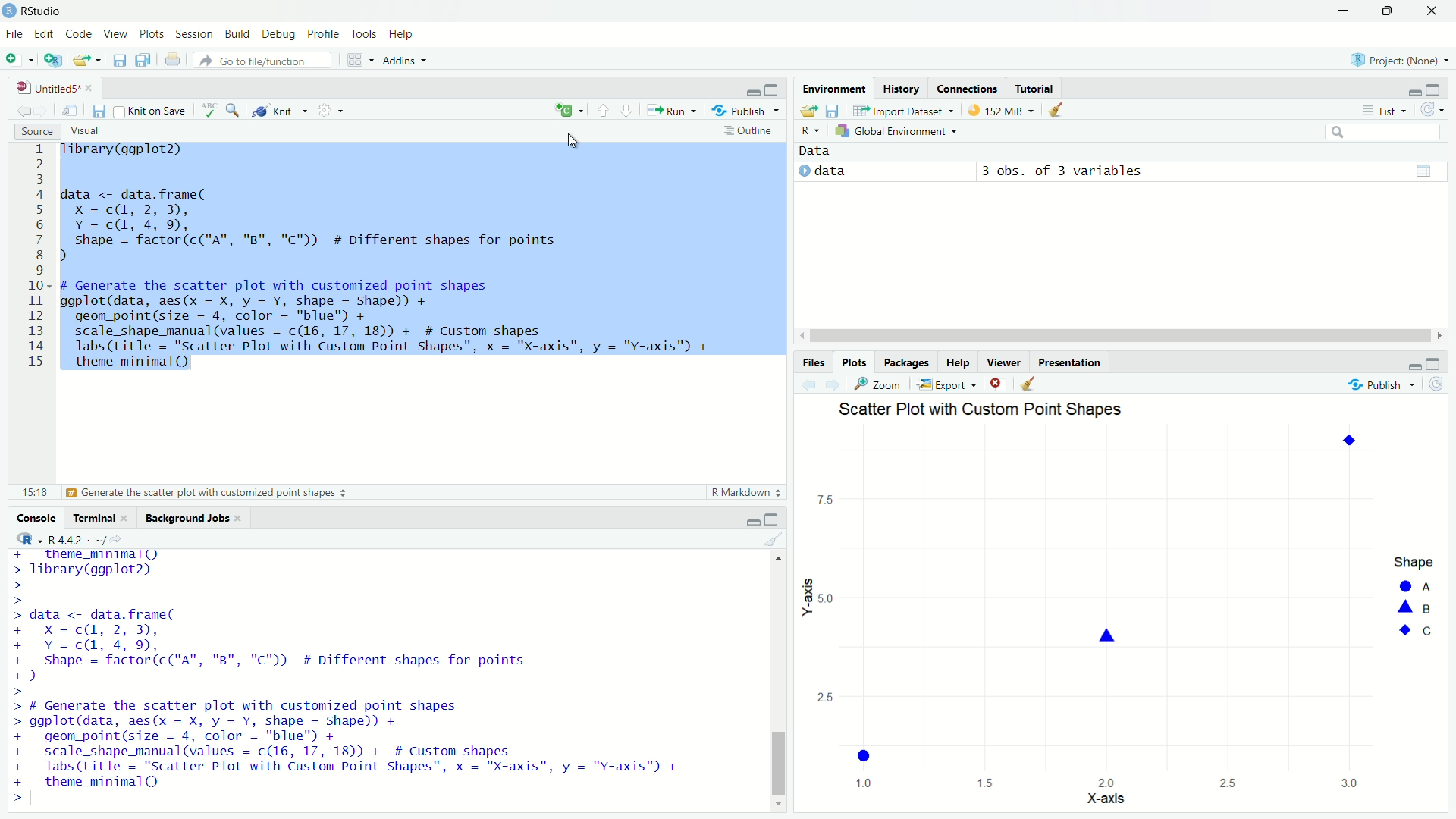 This screenshot has width=1456, height=819. I want to click on Next plot, so click(832, 384).